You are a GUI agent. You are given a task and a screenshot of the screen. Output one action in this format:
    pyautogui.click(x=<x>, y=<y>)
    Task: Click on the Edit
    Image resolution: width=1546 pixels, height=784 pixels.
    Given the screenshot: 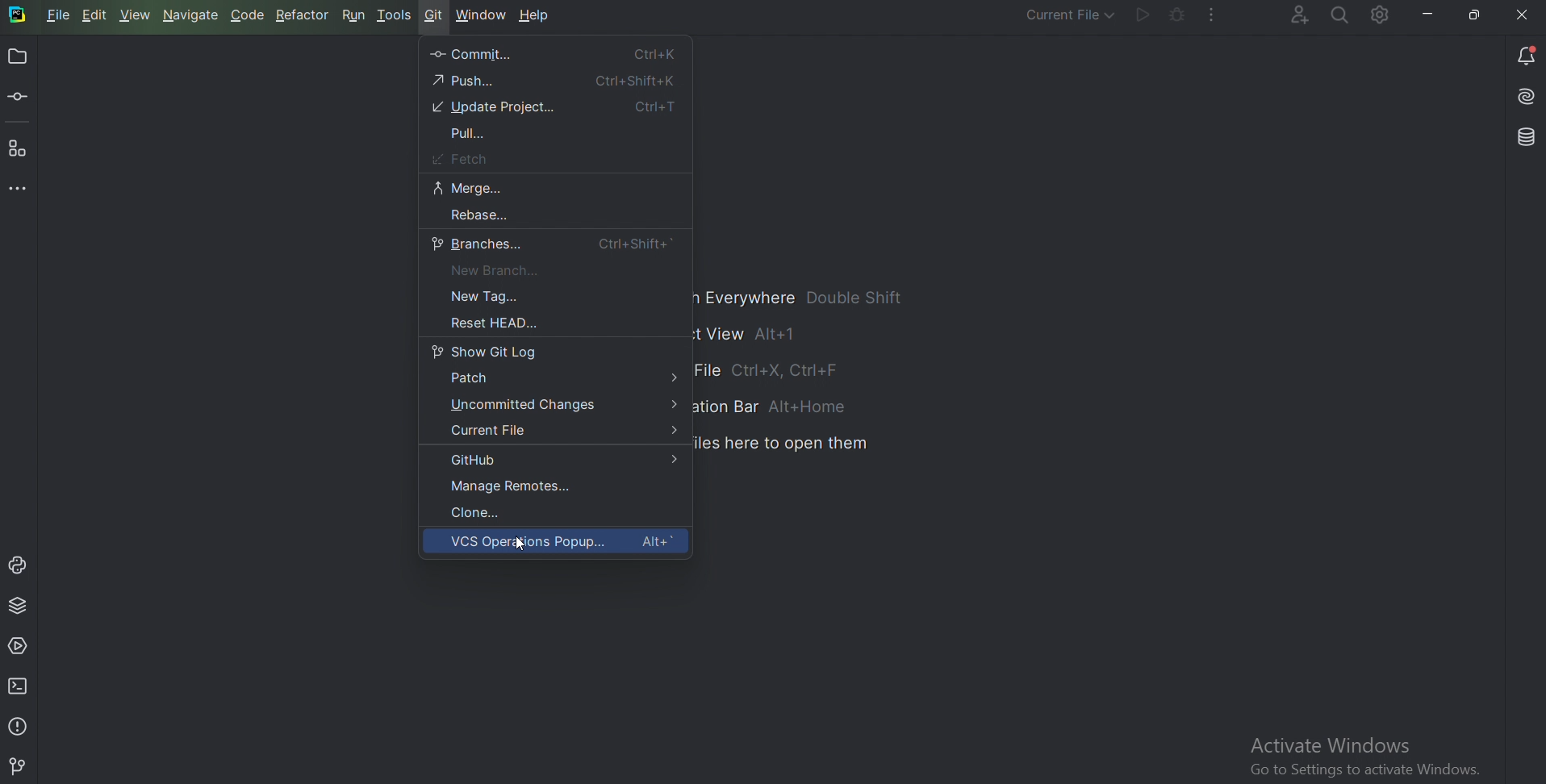 What is the action you would take?
    pyautogui.click(x=96, y=15)
    